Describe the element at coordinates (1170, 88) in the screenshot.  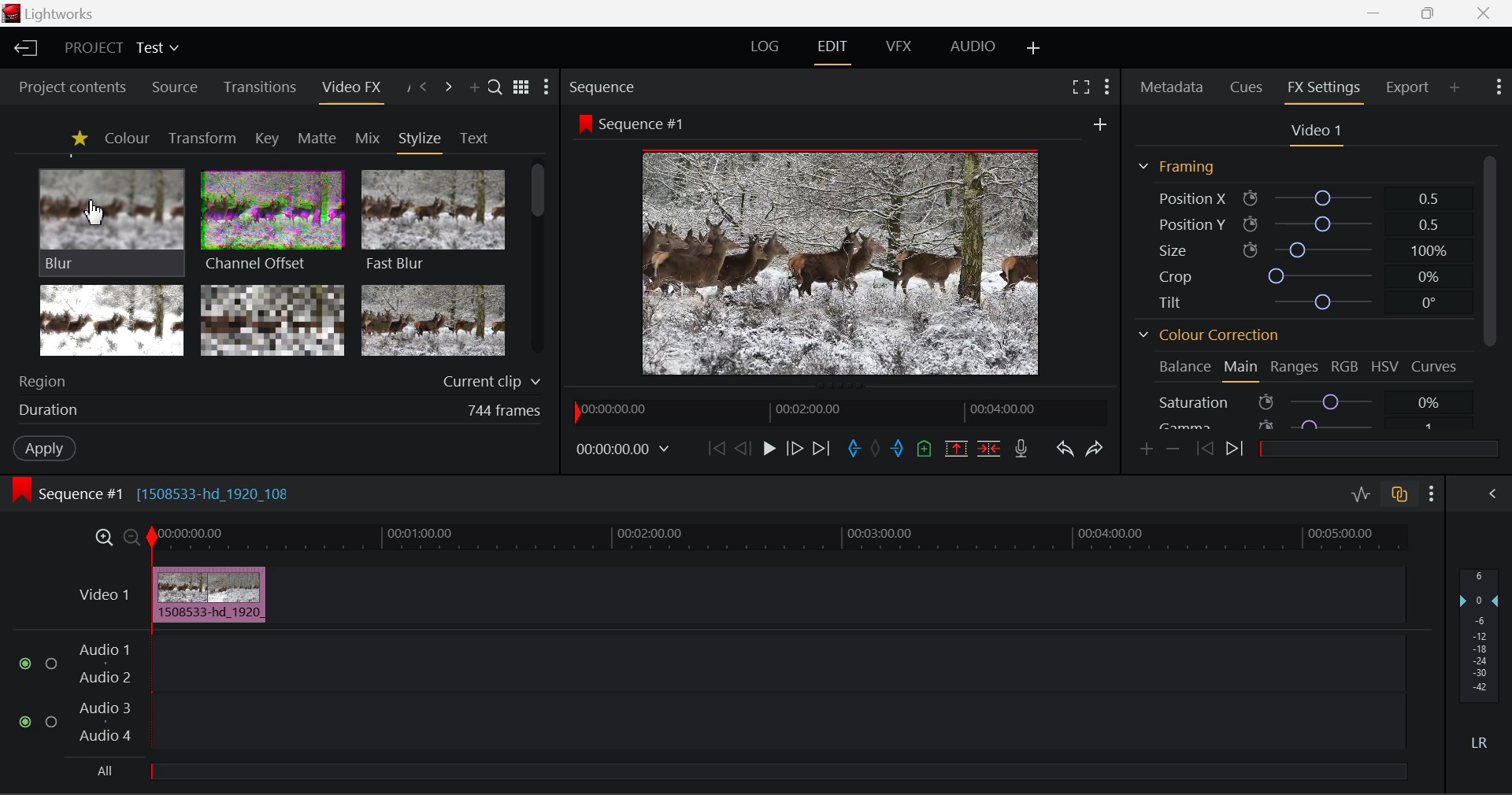
I see `Metadata Panel` at that location.